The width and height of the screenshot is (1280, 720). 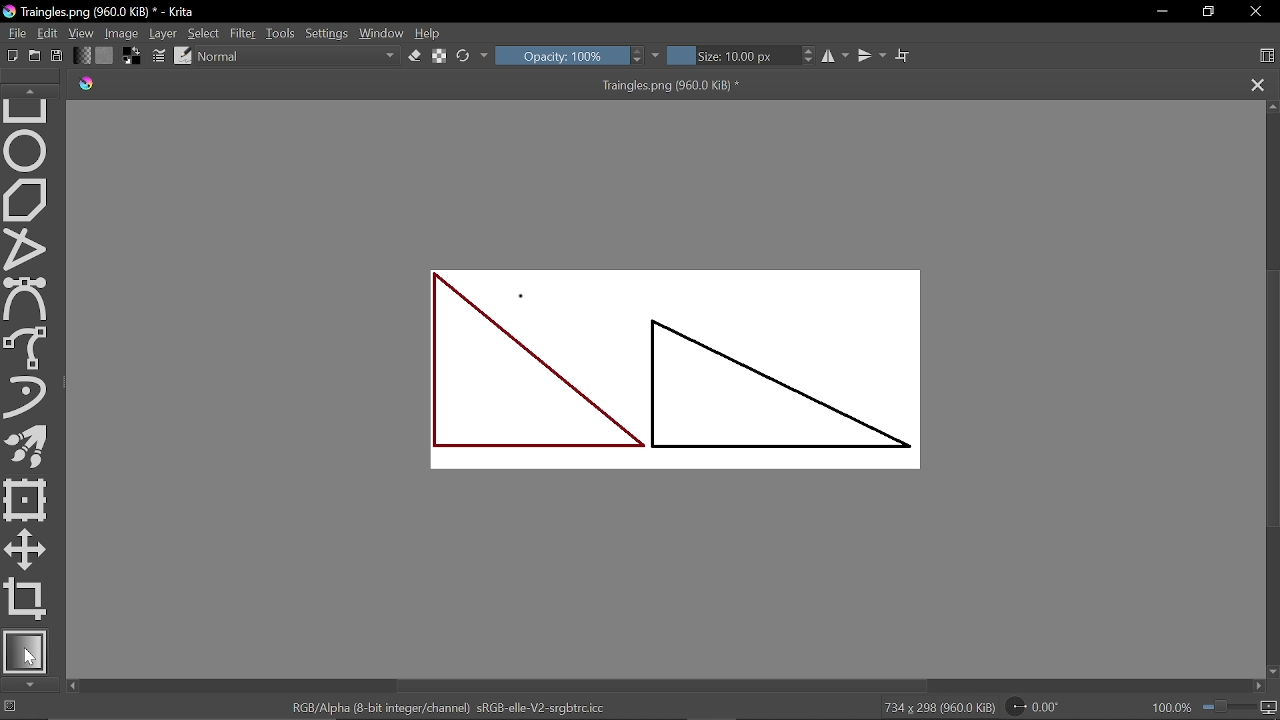 What do you see at coordinates (663, 686) in the screenshot?
I see `Horizontal scrollbar` at bounding box center [663, 686].